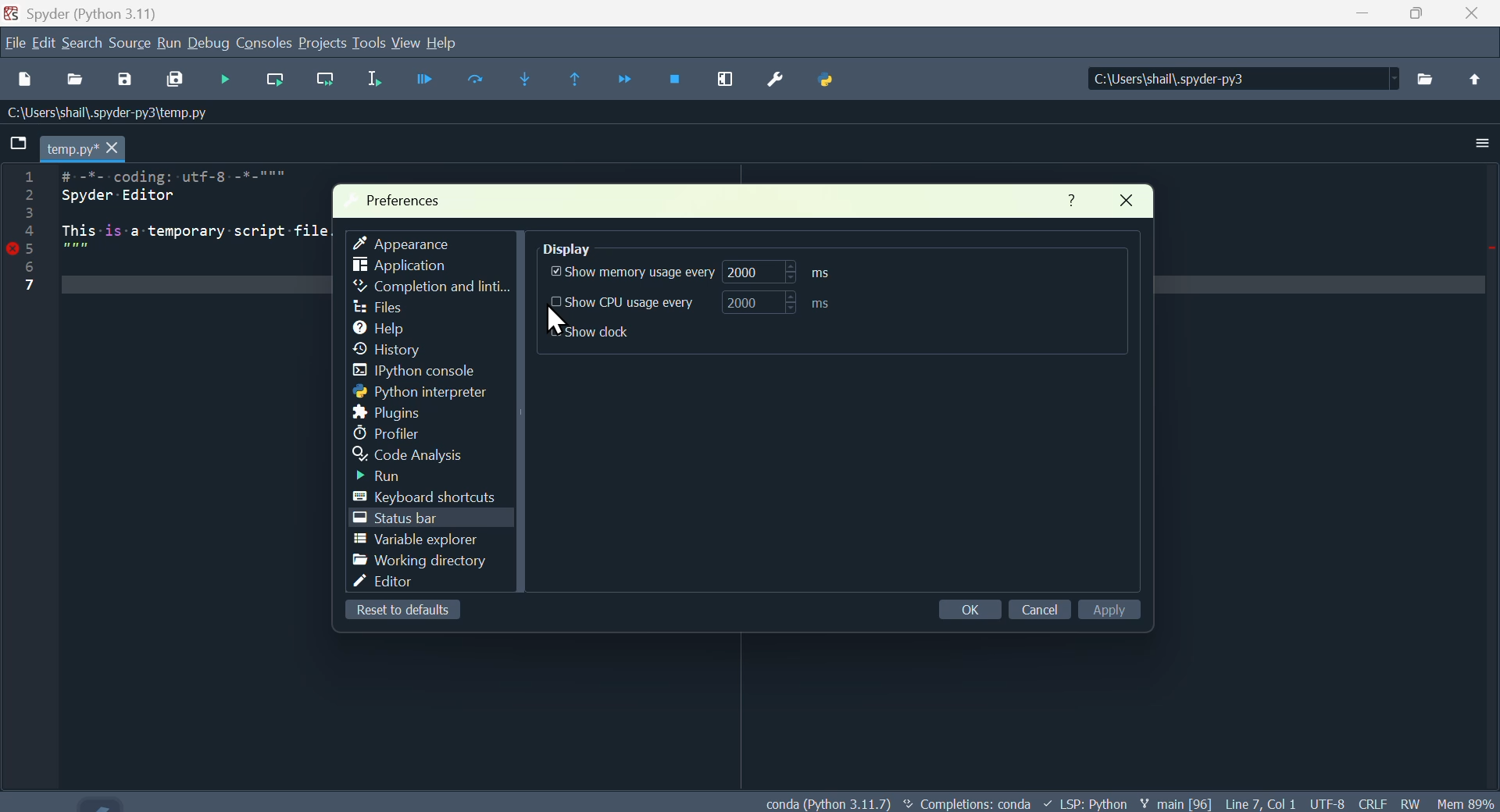 The width and height of the screenshot is (1500, 812). Describe the element at coordinates (99, 12) in the screenshot. I see `Spyder` at that location.